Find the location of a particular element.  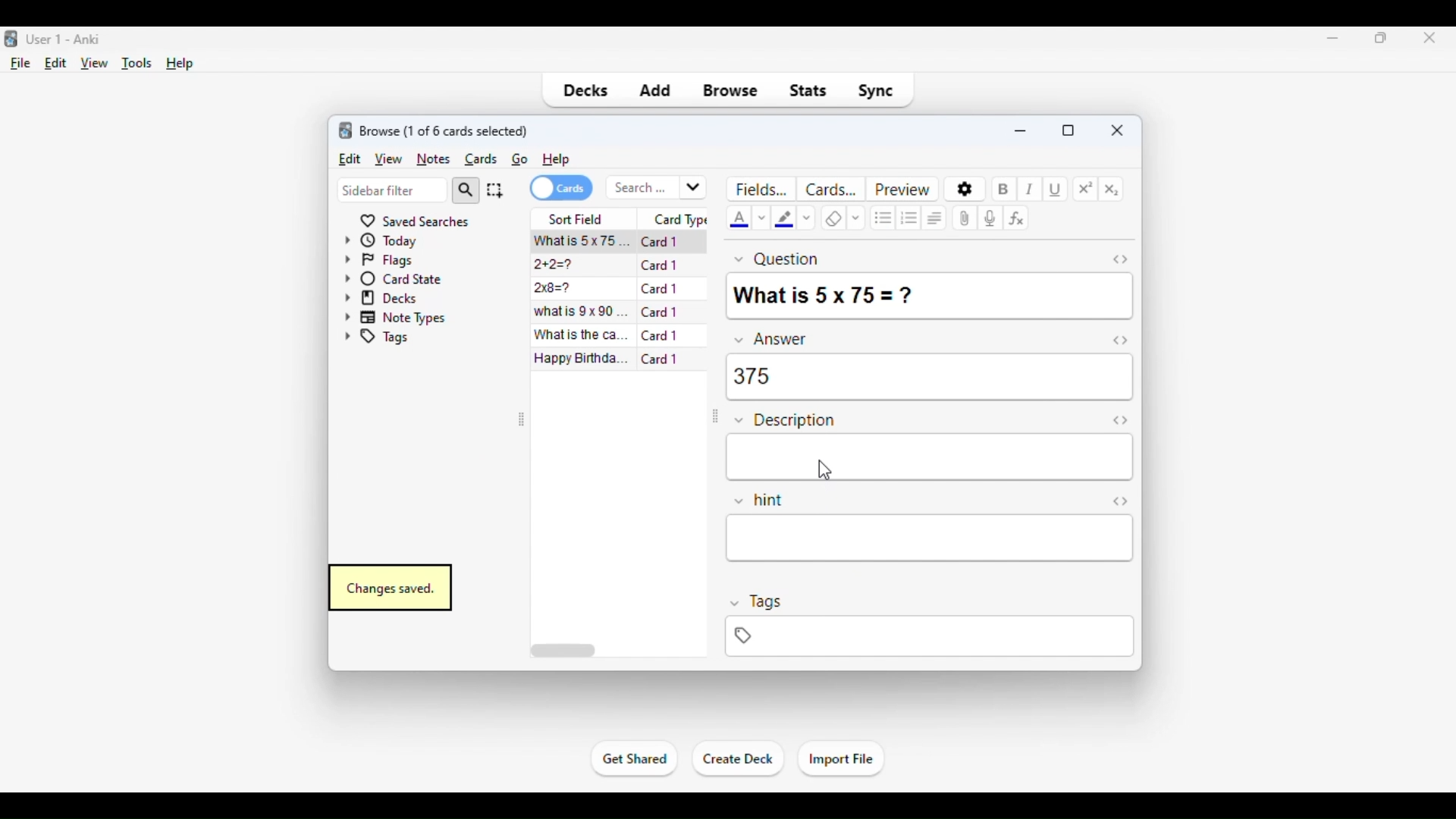

unordered list is located at coordinates (883, 217).